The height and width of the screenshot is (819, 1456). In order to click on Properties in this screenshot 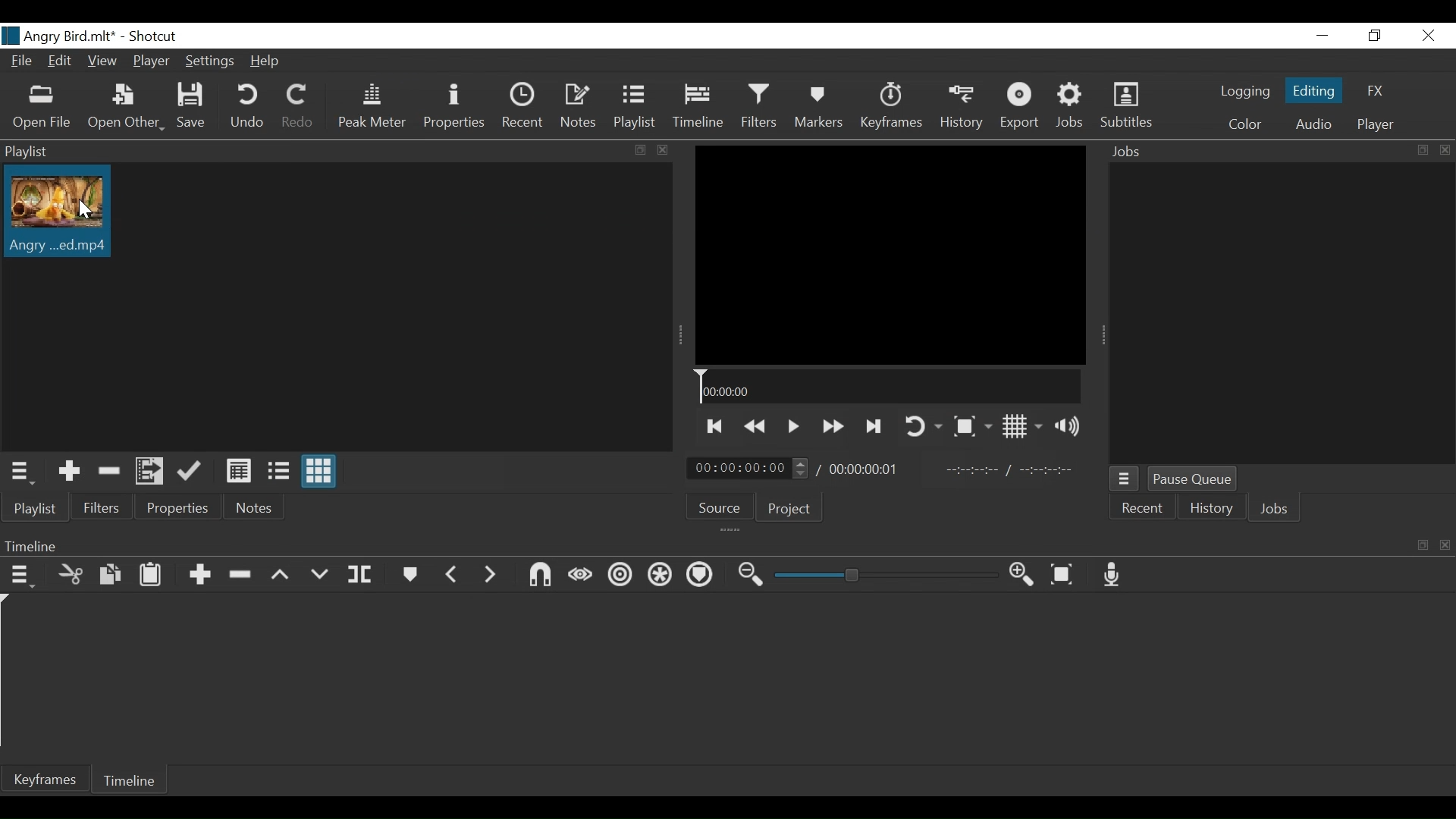, I will do `click(179, 504)`.